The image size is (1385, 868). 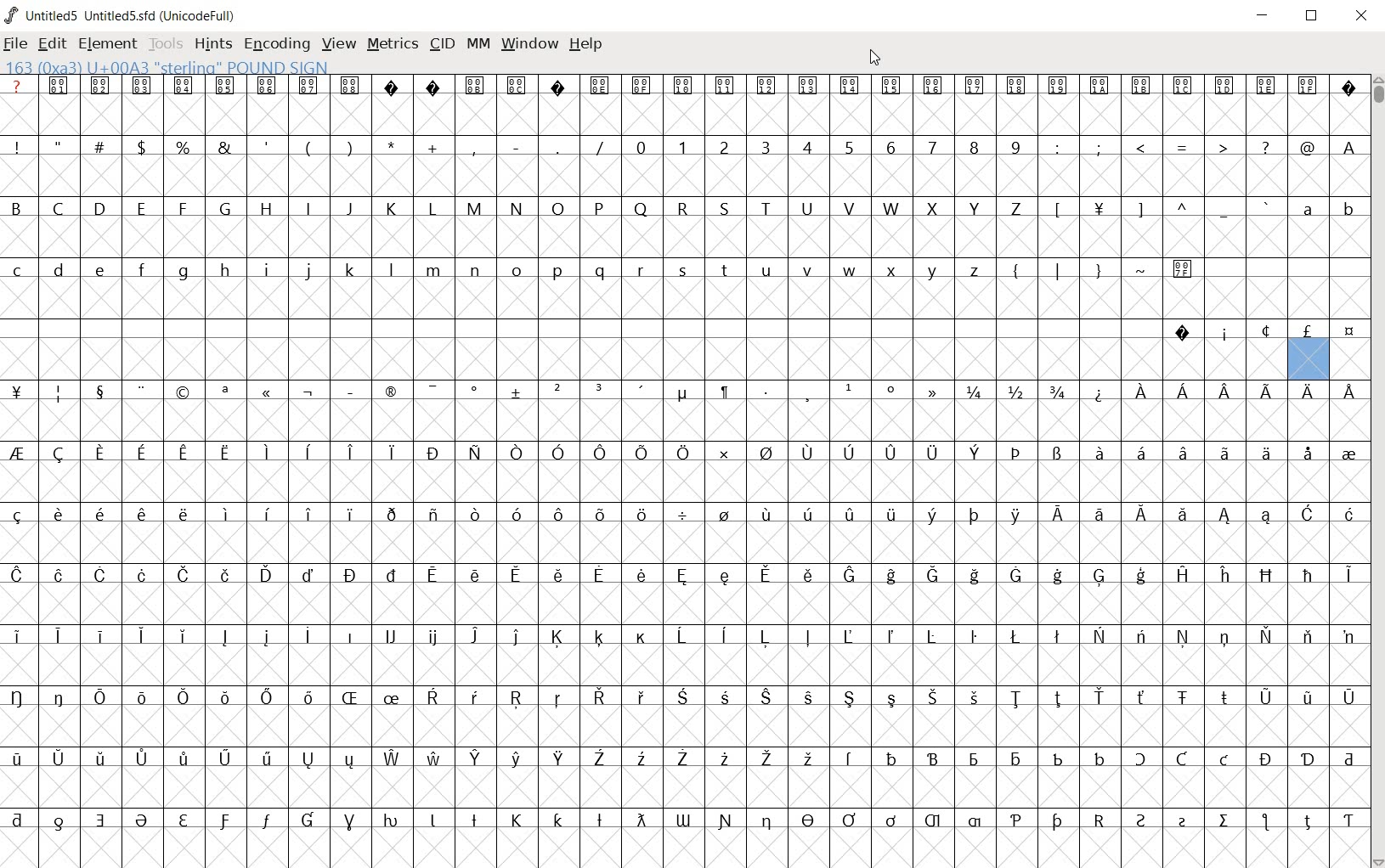 I want to click on }, so click(x=1097, y=268).